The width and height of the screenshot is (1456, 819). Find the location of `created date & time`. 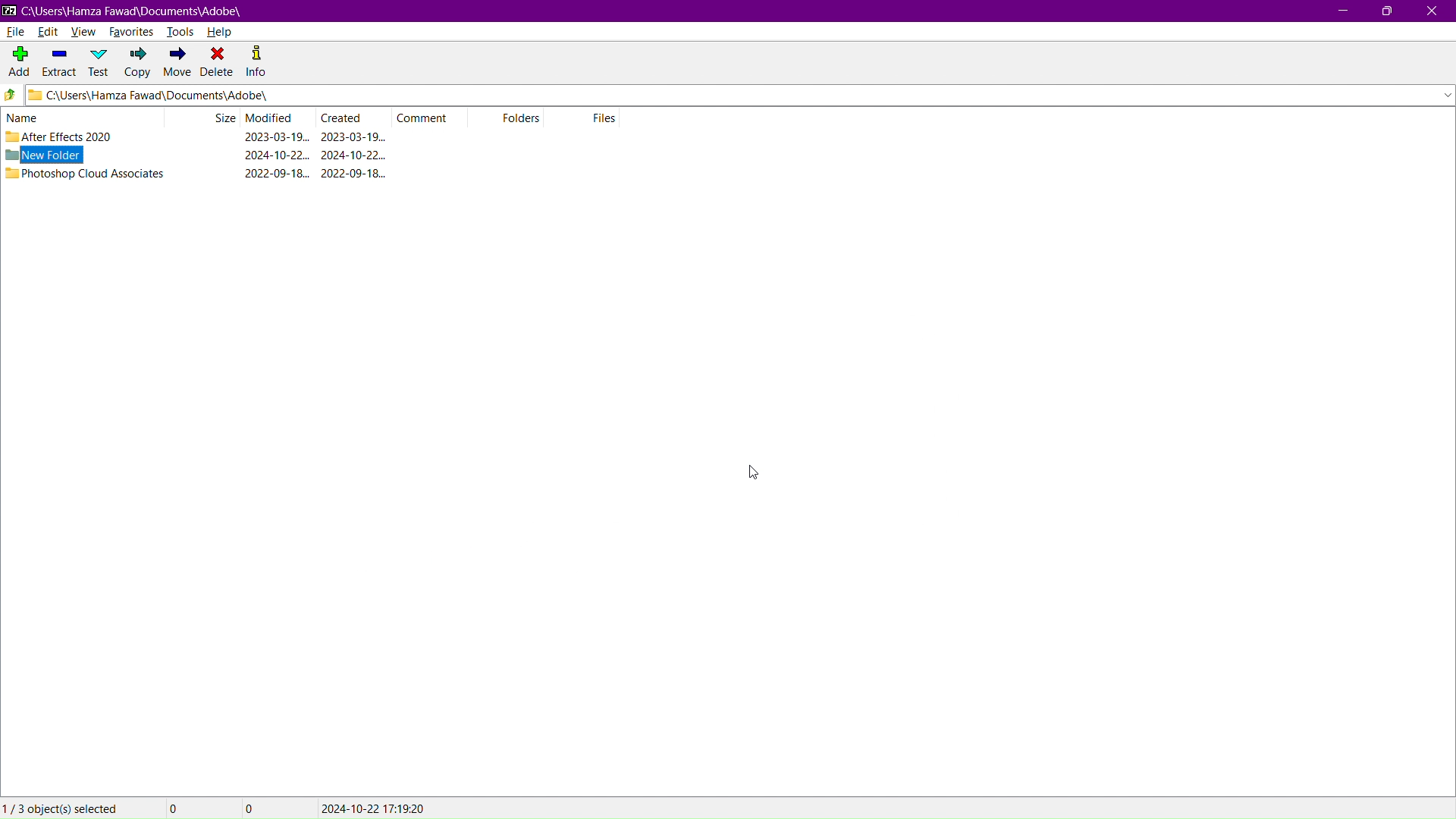

created date & time is located at coordinates (353, 136).